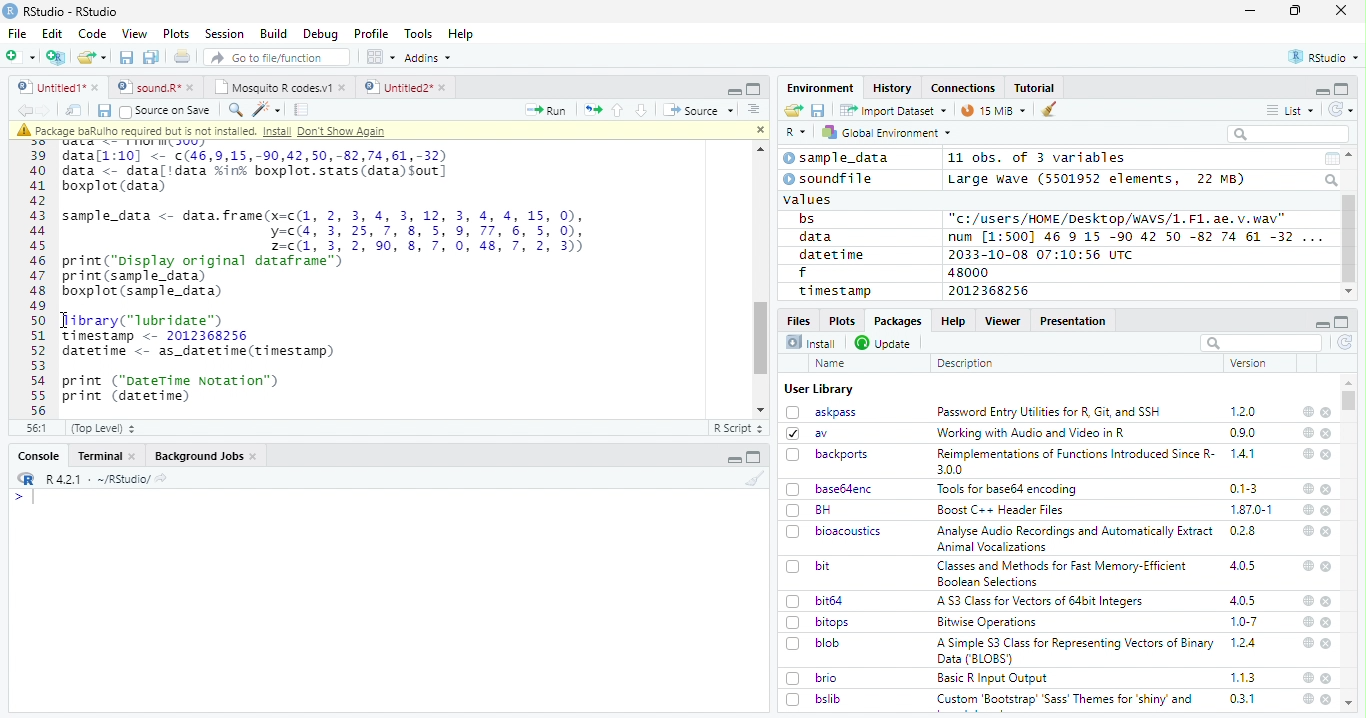 Image resolution: width=1366 pixels, height=718 pixels. What do you see at coordinates (1074, 461) in the screenshot?
I see `Reimplementations of Functions Introduced Since R-
300` at bounding box center [1074, 461].